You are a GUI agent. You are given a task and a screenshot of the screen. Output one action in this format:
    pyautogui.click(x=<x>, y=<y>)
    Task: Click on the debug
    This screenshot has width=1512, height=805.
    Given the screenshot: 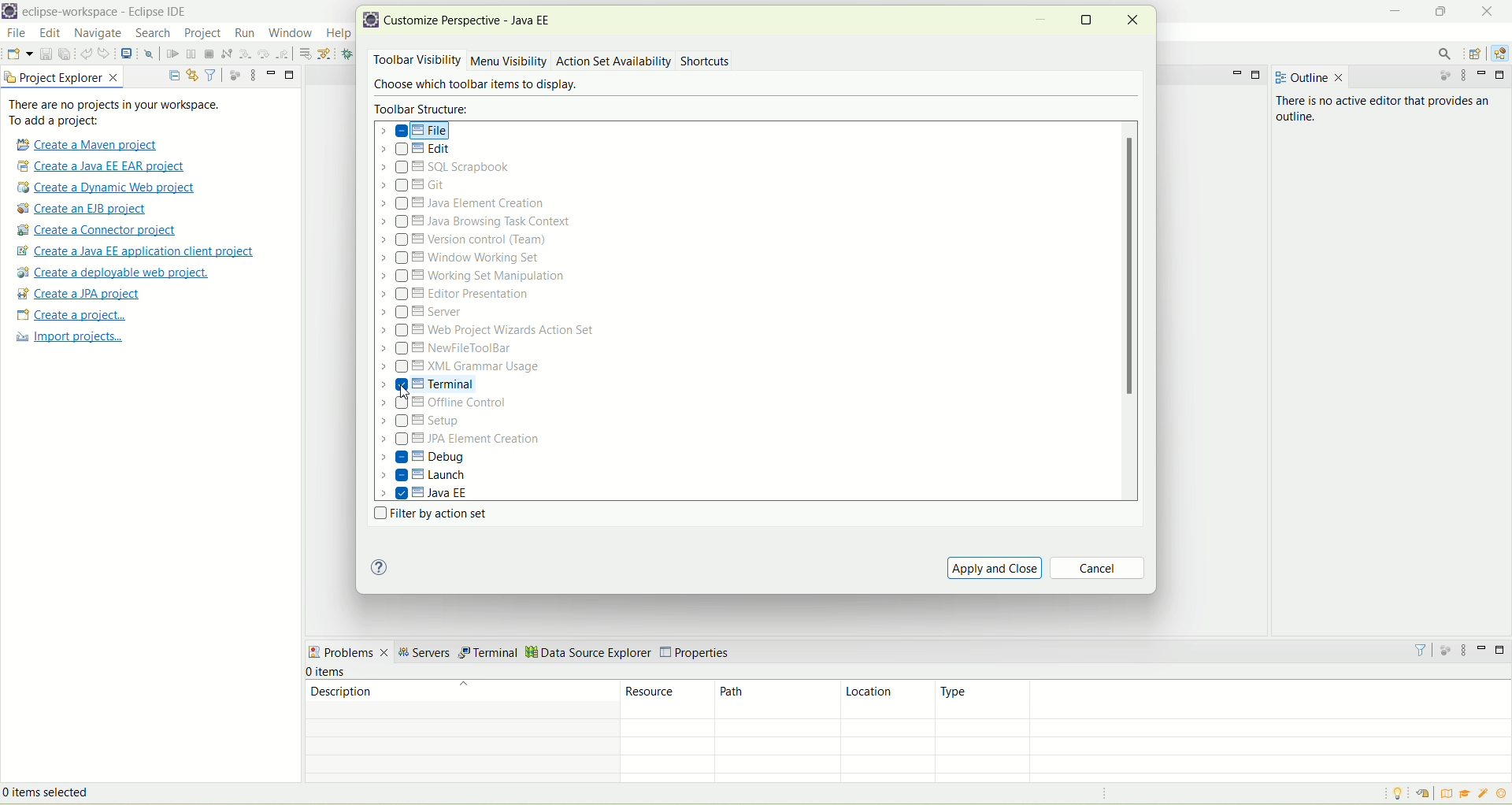 What is the action you would take?
    pyautogui.click(x=351, y=55)
    